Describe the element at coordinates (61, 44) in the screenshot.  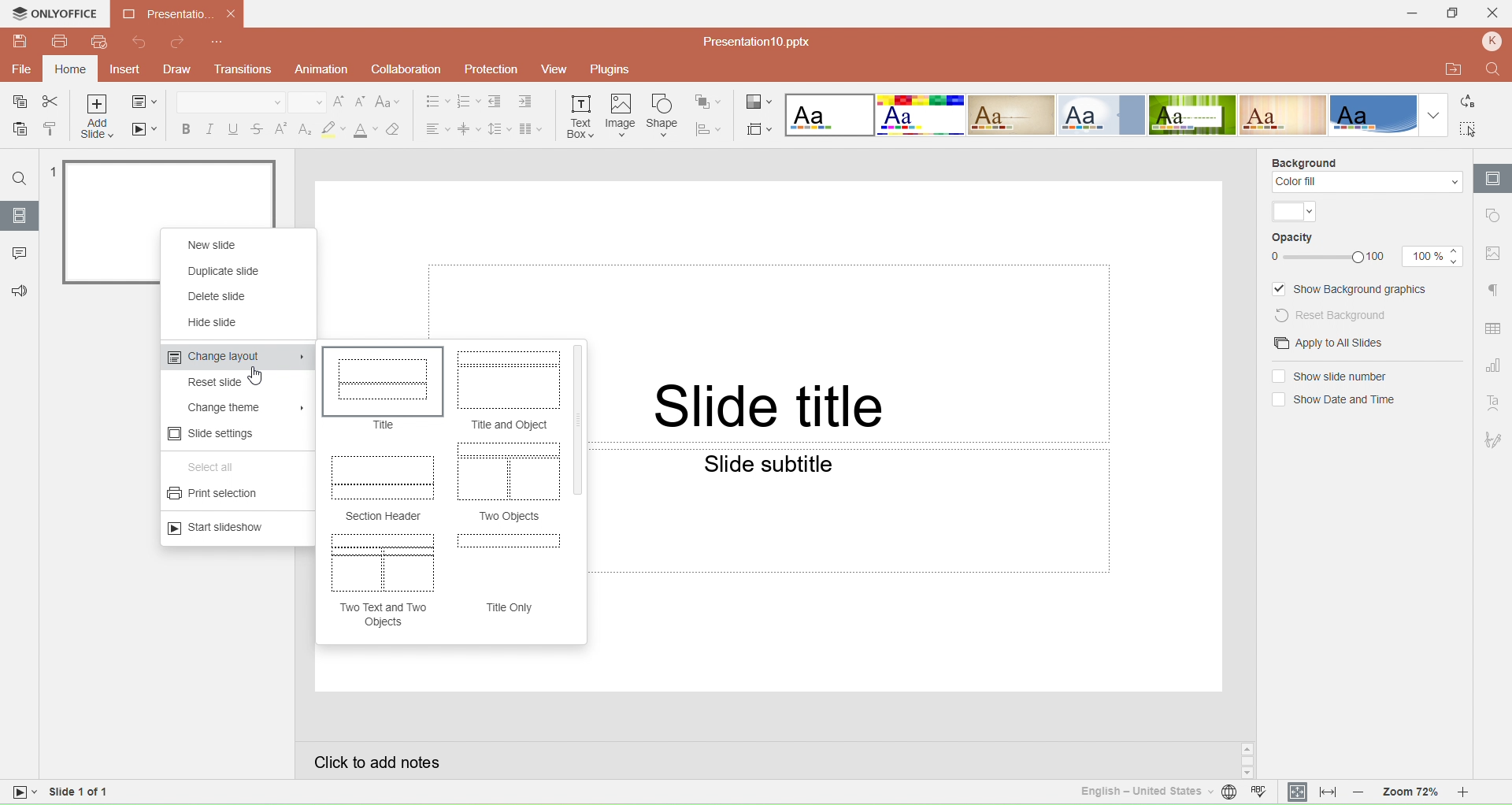
I see `Print file` at that location.